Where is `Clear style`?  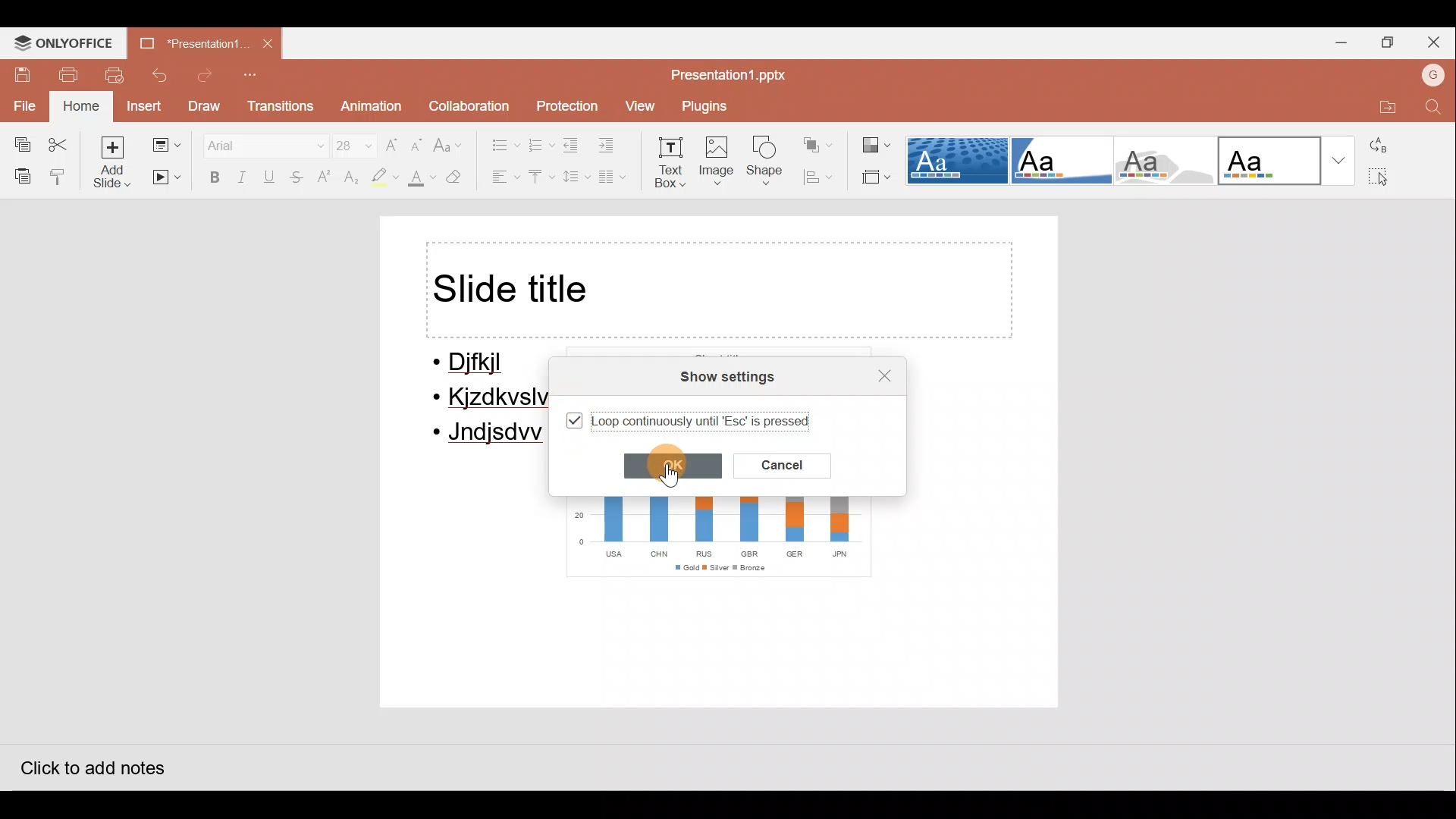 Clear style is located at coordinates (461, 179).